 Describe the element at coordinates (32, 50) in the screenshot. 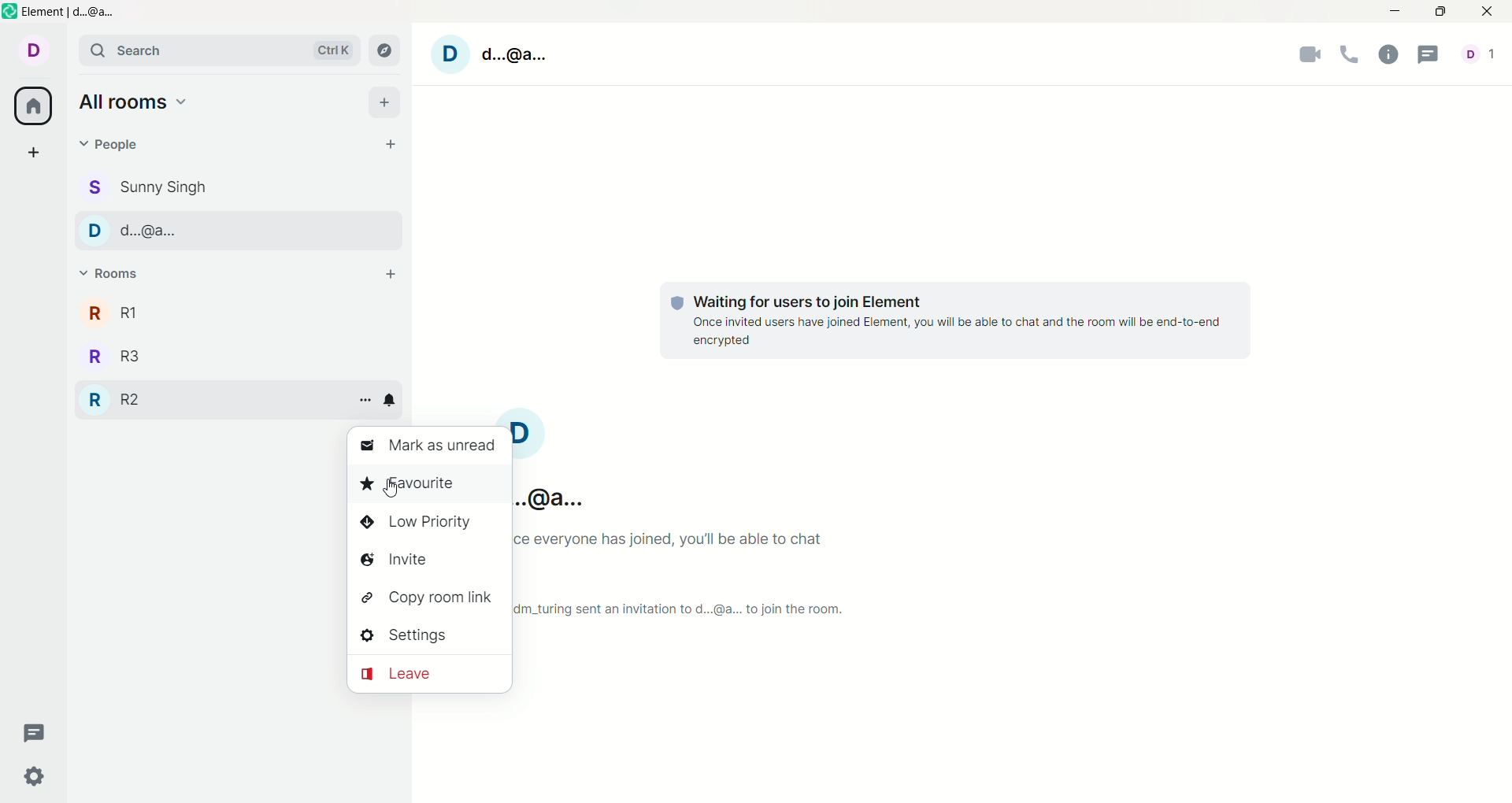

I see `account` at that location.